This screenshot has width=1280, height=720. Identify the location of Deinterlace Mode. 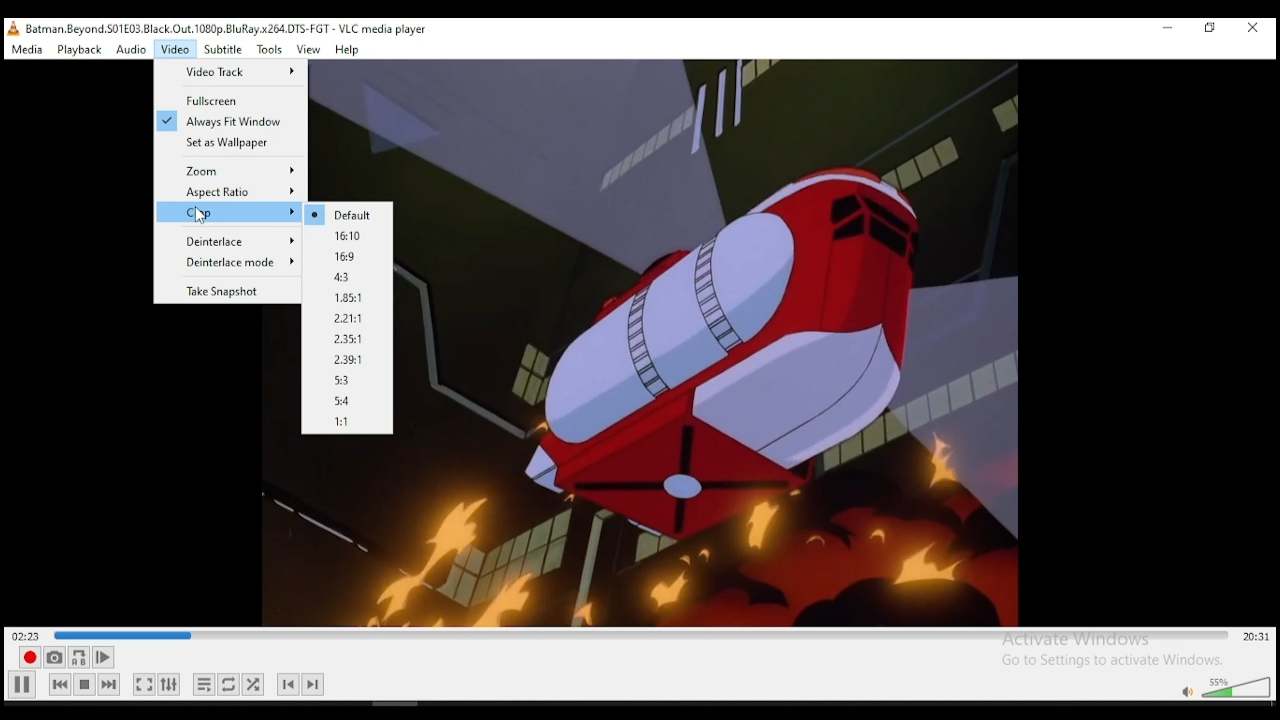
(229, 263).